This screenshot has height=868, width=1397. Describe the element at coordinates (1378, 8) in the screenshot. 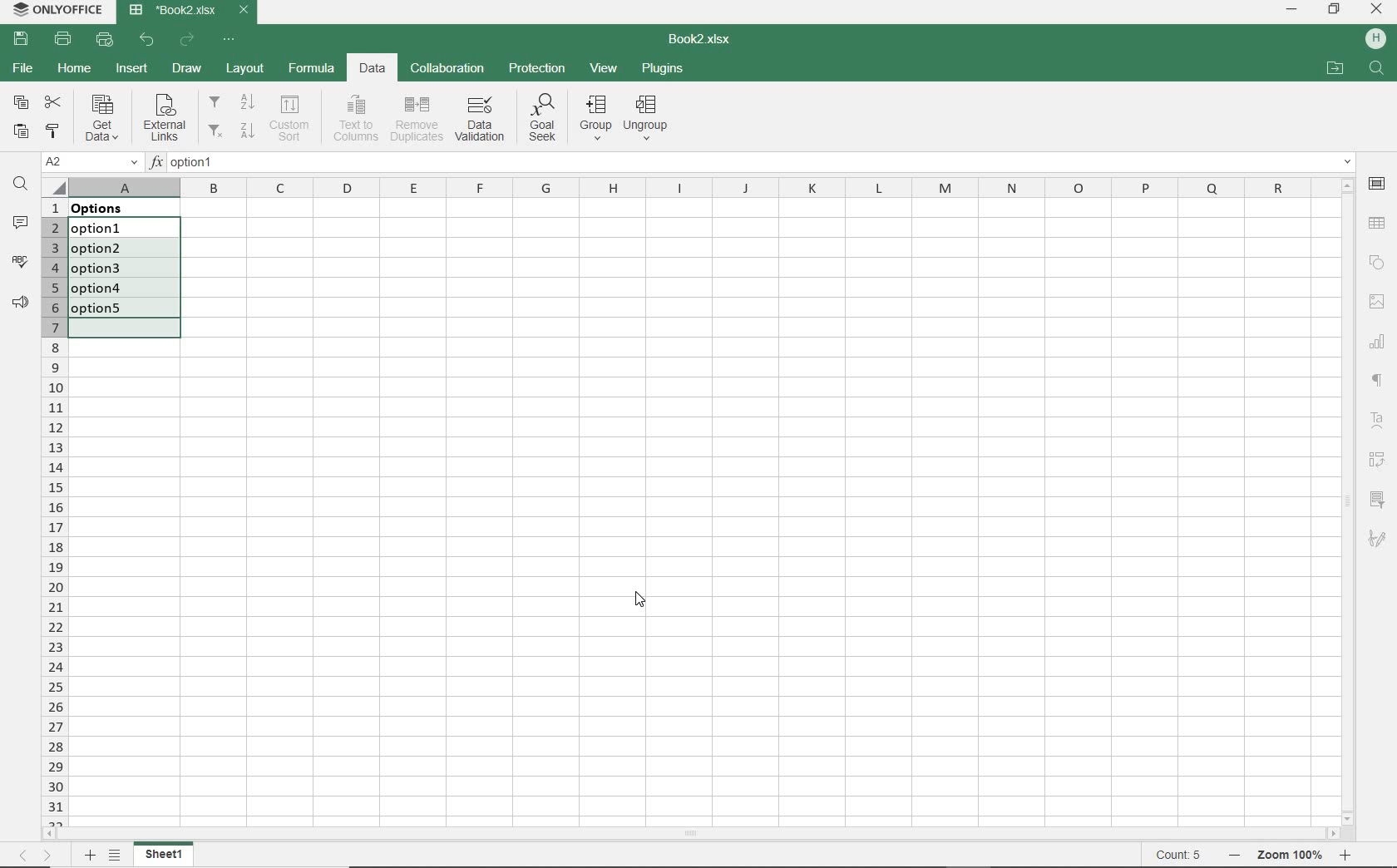

I see `CLOSE` at that location.